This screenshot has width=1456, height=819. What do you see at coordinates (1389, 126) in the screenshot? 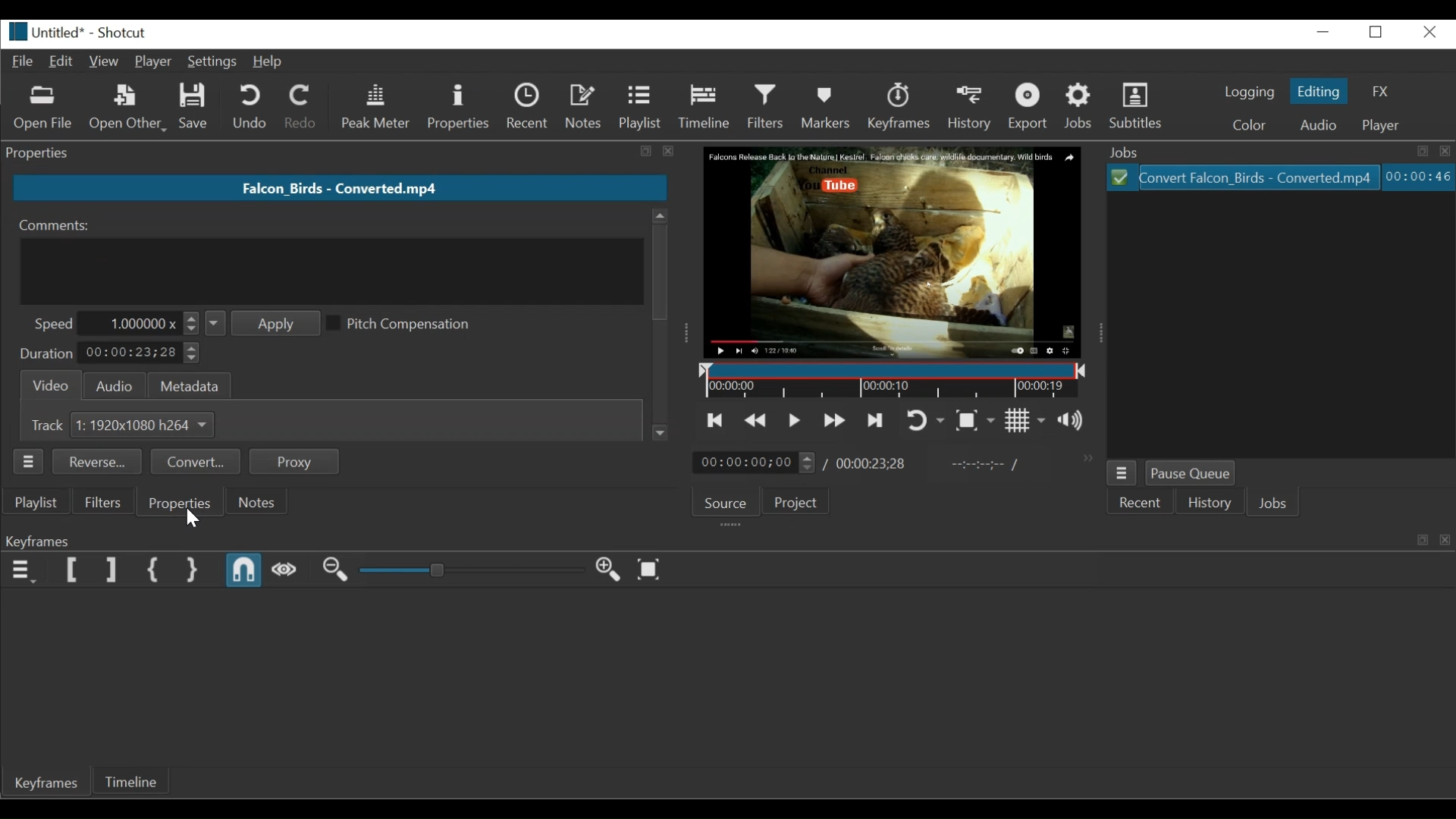
I see `Player` at bounding box center [1389, 126].